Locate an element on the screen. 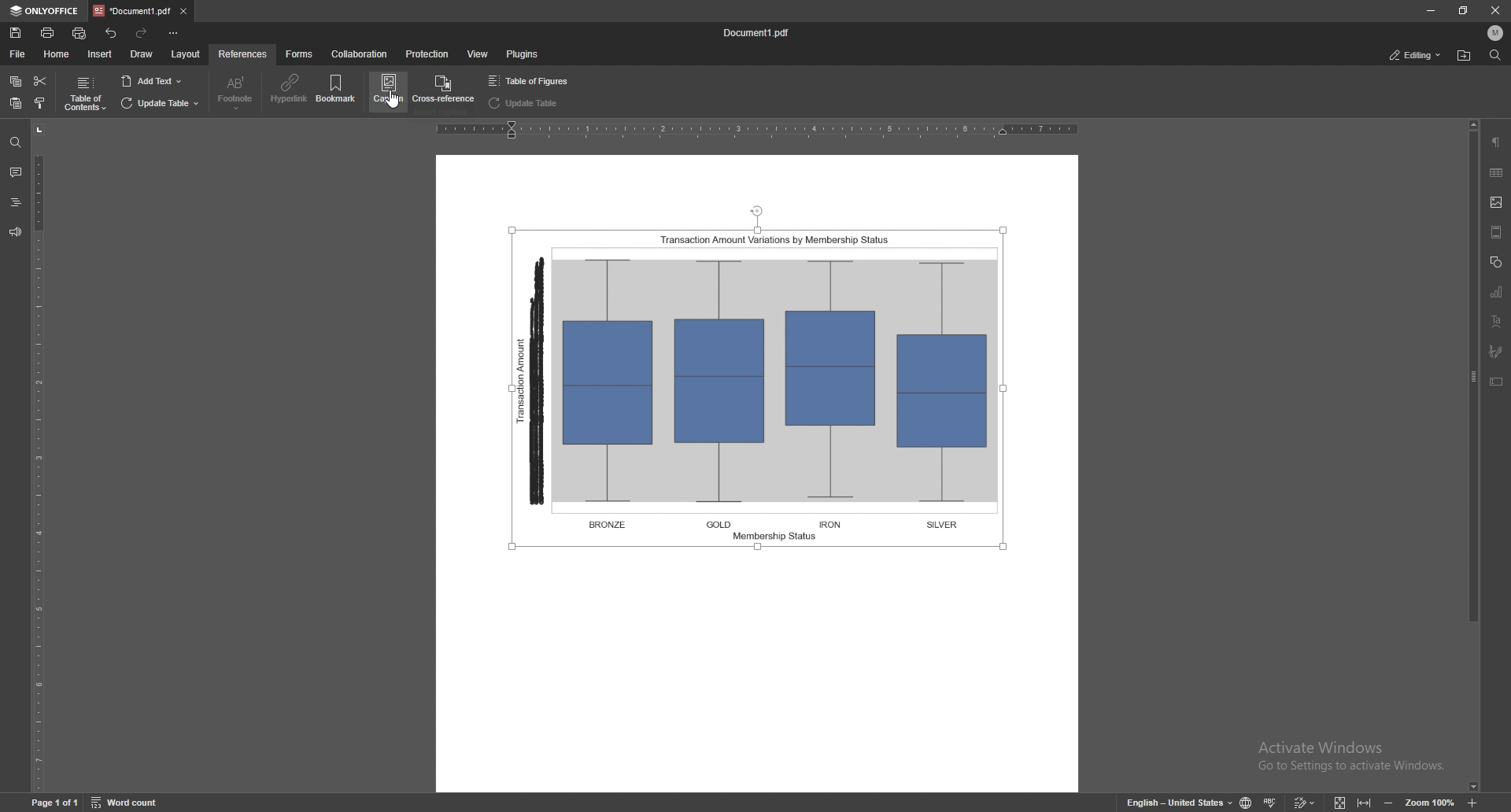 The image size is (1511, 812). text art is located at coordinates (1495, 321).